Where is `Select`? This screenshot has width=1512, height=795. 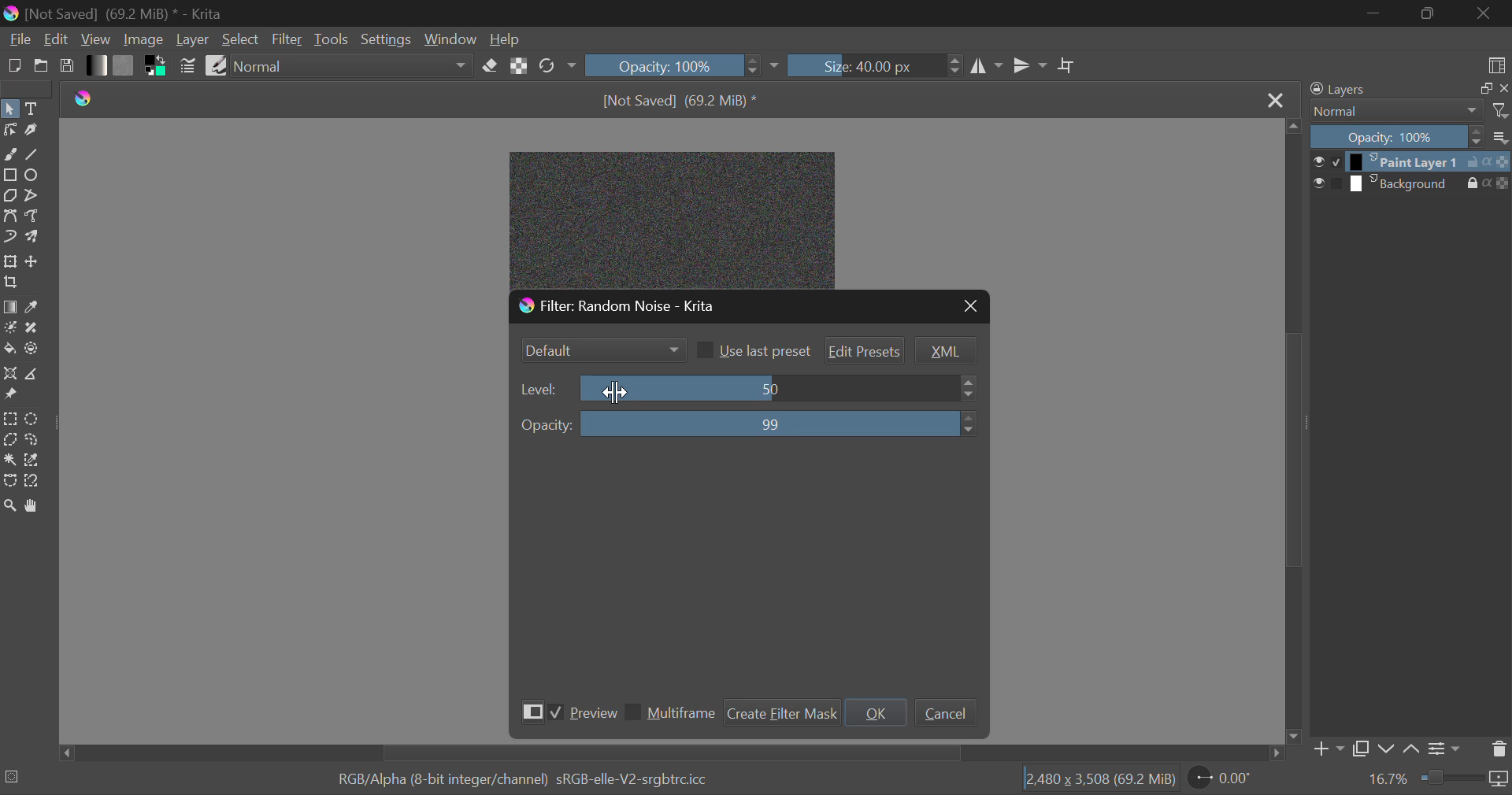 Select is located at coordinates (9, 110).